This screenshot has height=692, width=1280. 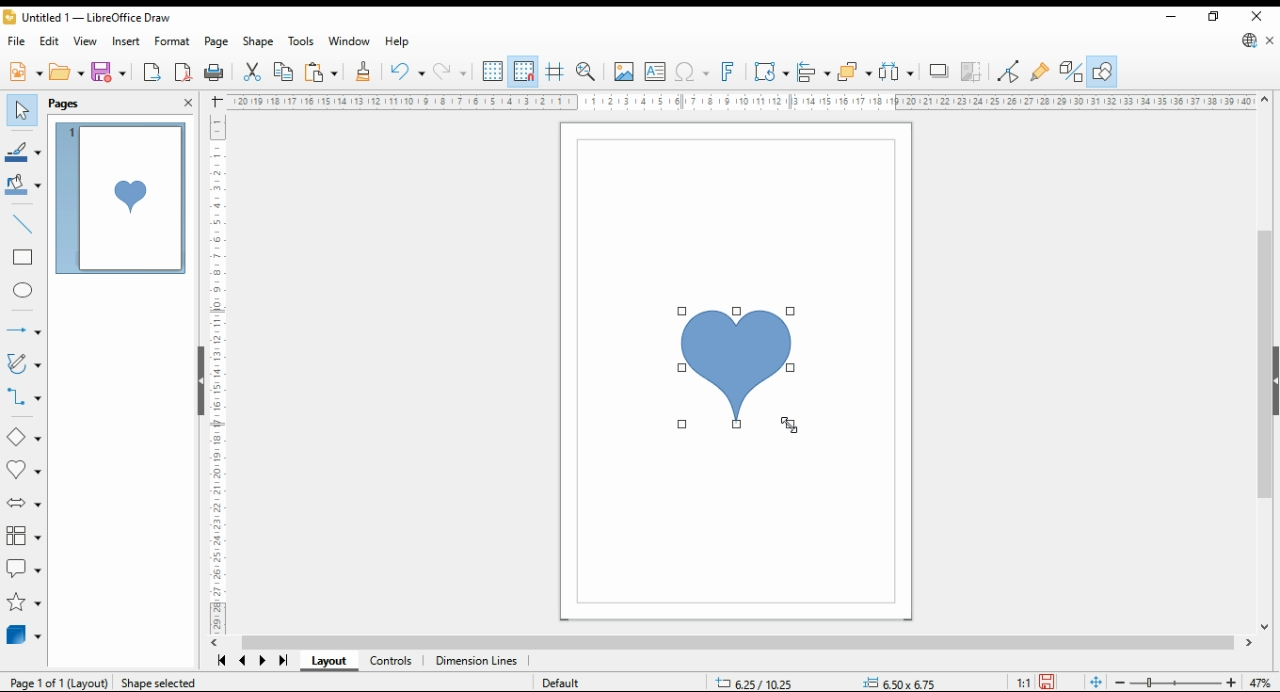 What do you see at coordinates (302, 41) in the screenshot?
I see `tools` at bounding box center [302, 41].